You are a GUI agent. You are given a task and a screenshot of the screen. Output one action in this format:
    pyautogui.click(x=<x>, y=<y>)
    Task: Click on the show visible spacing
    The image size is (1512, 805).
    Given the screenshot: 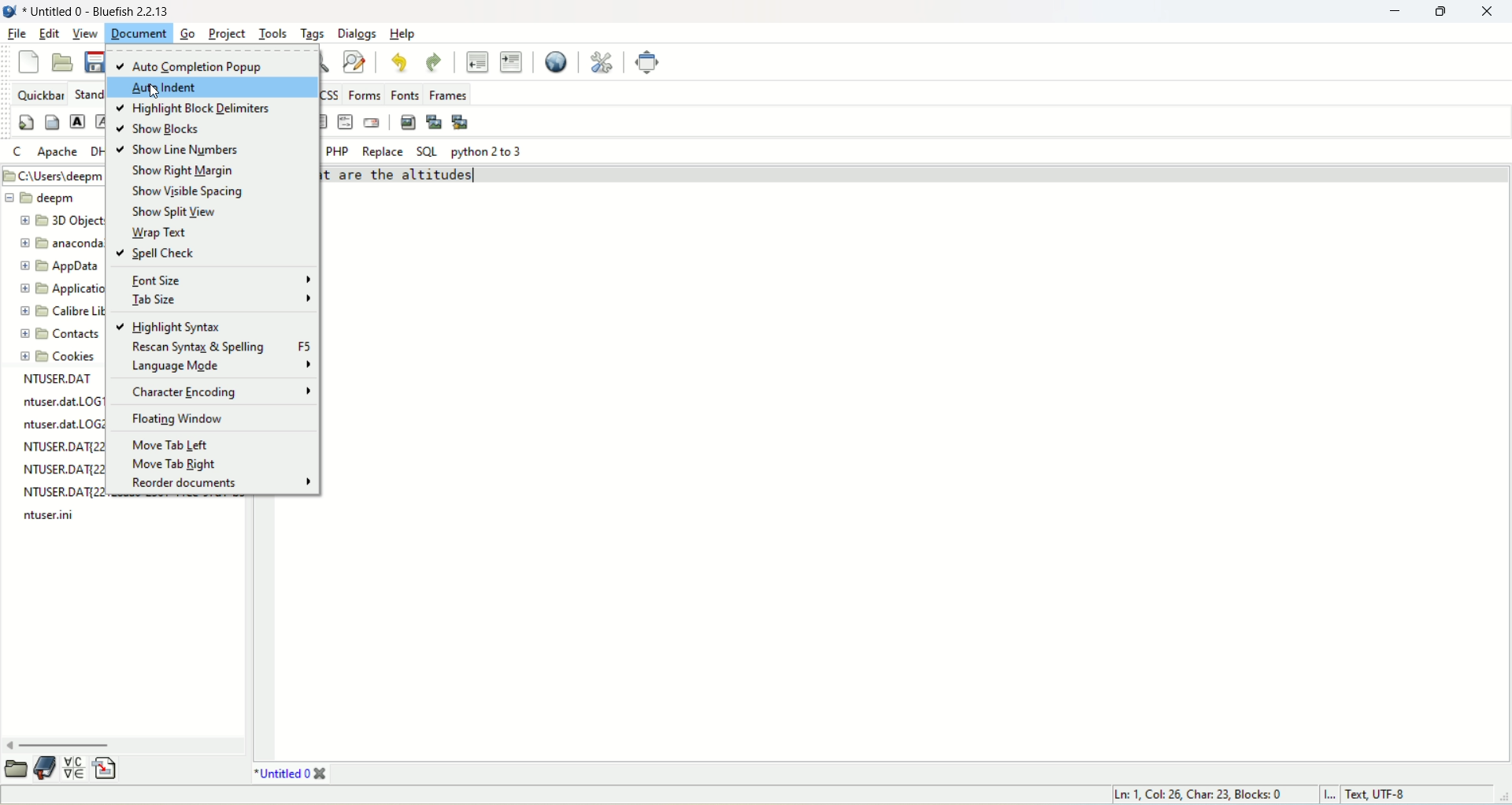 What is the action you would take?
    pyautogui.click(x=188, y=193)
    